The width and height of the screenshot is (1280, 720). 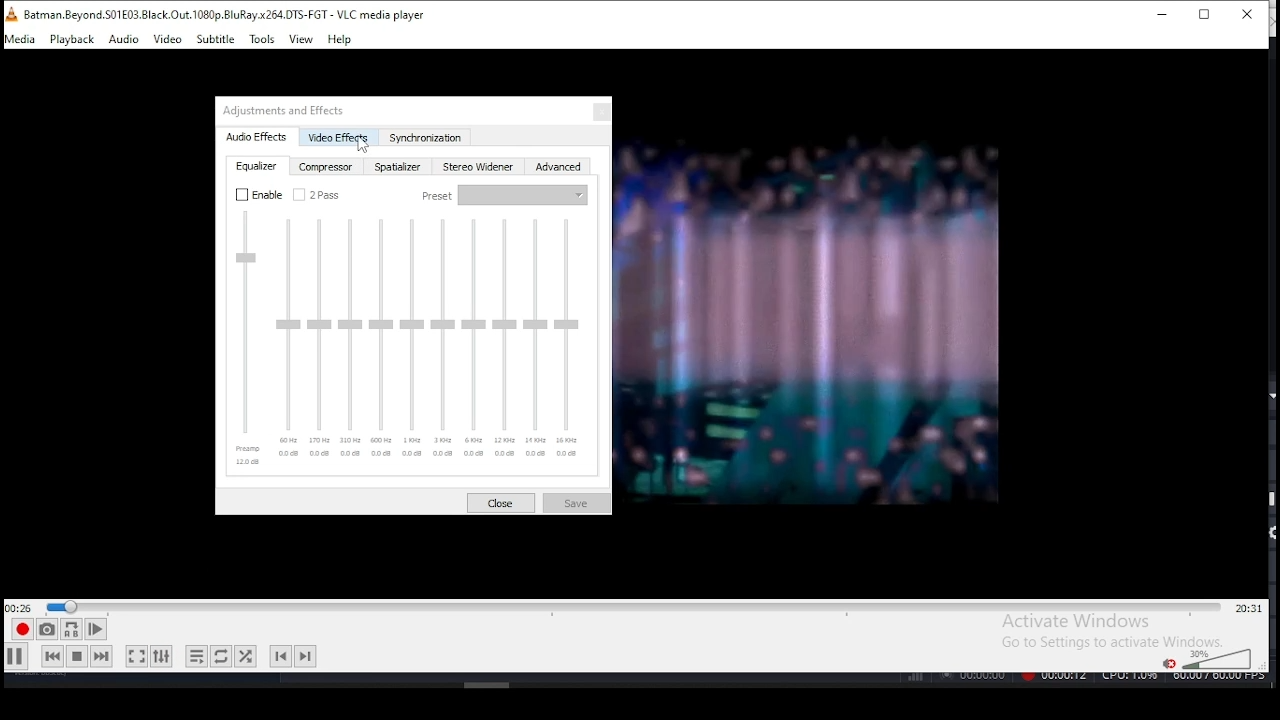 I want to click on , so click(x=810, y=325).